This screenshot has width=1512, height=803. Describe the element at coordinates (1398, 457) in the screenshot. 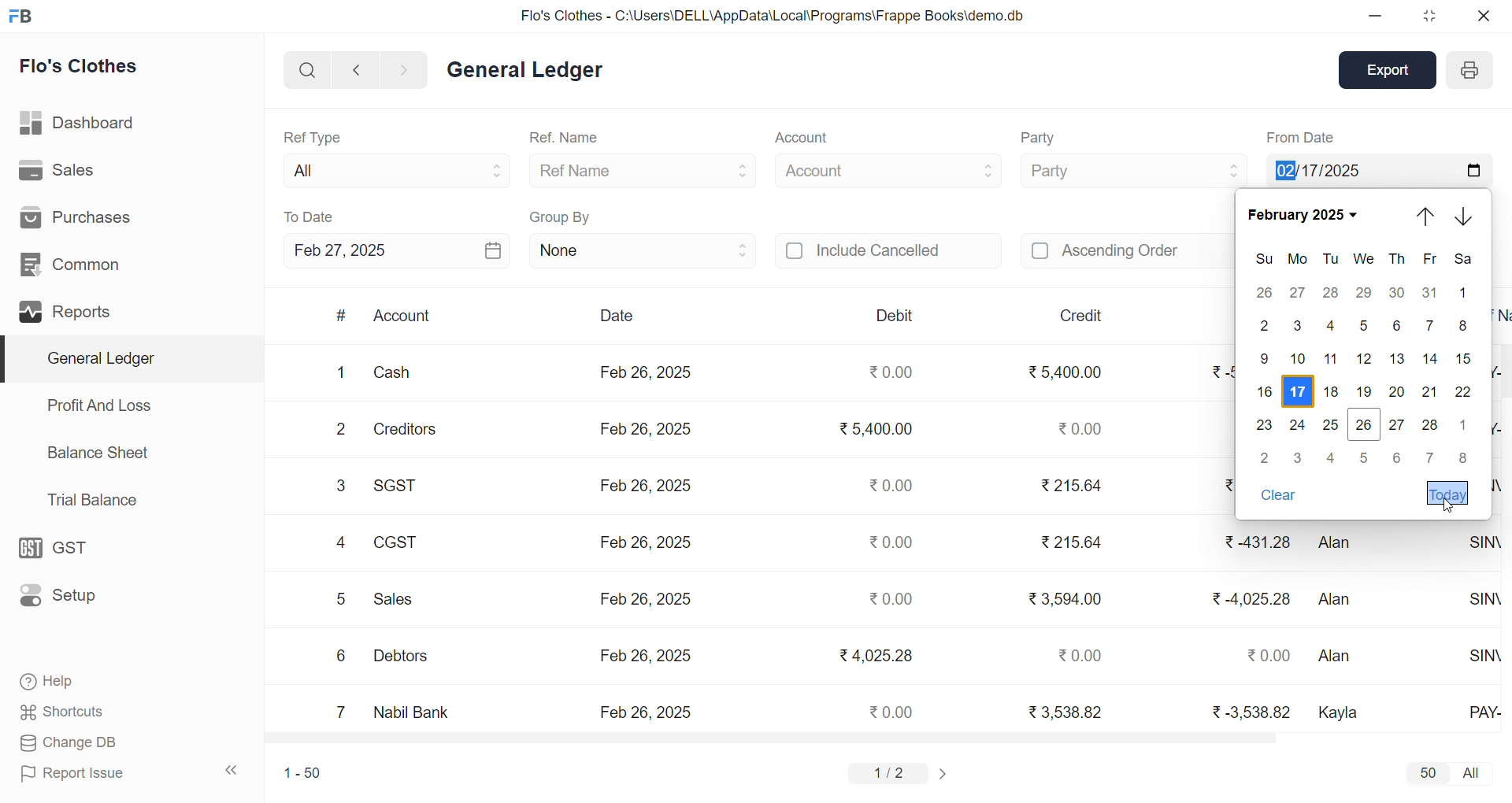

I see `6` at that location.